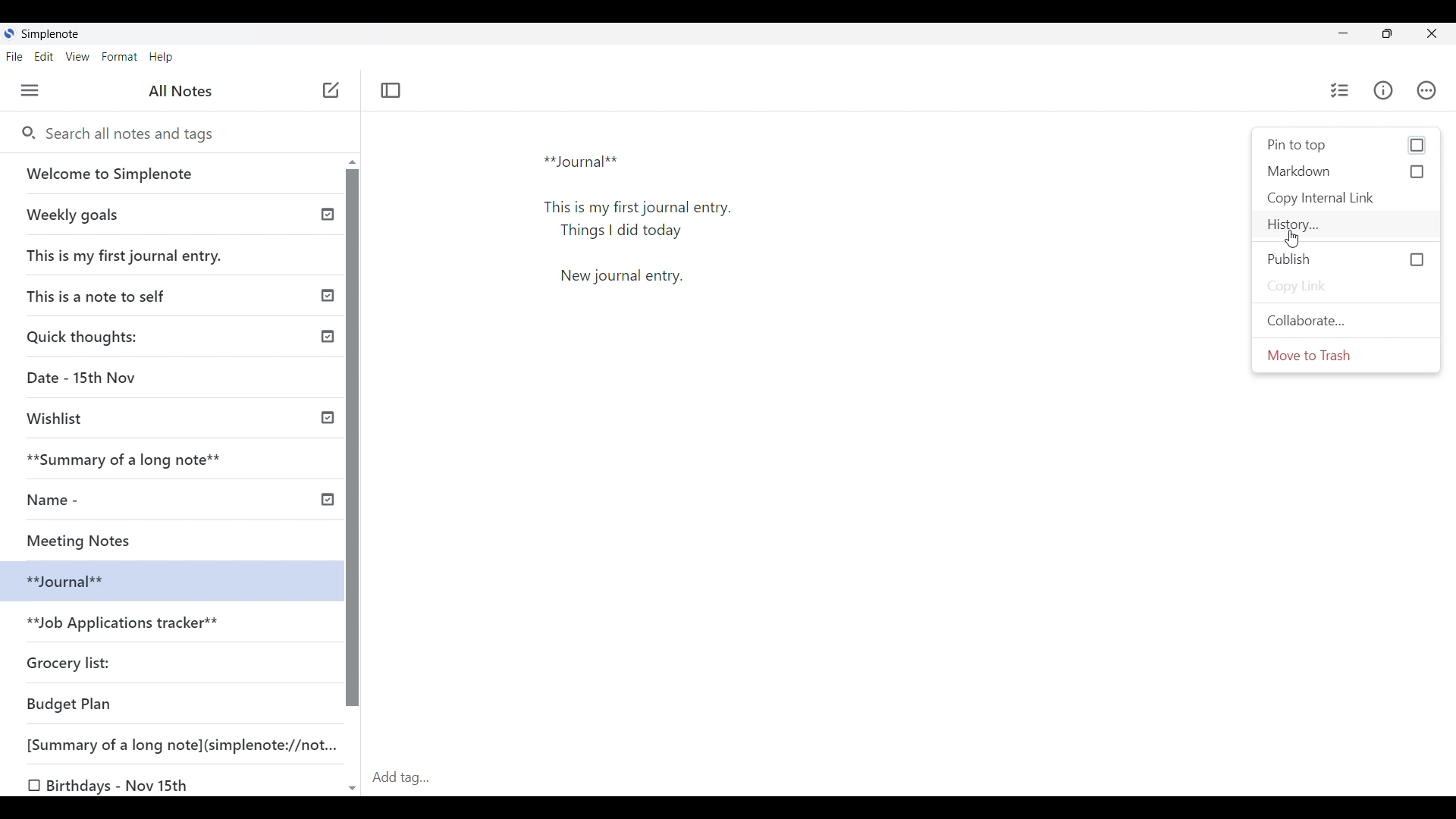 The height and width of the screenshot is (819, 1456). What do you see at coordinates (1426, 90) in the screenshot?
I see `Actions` at bounding box center [1426, 90].